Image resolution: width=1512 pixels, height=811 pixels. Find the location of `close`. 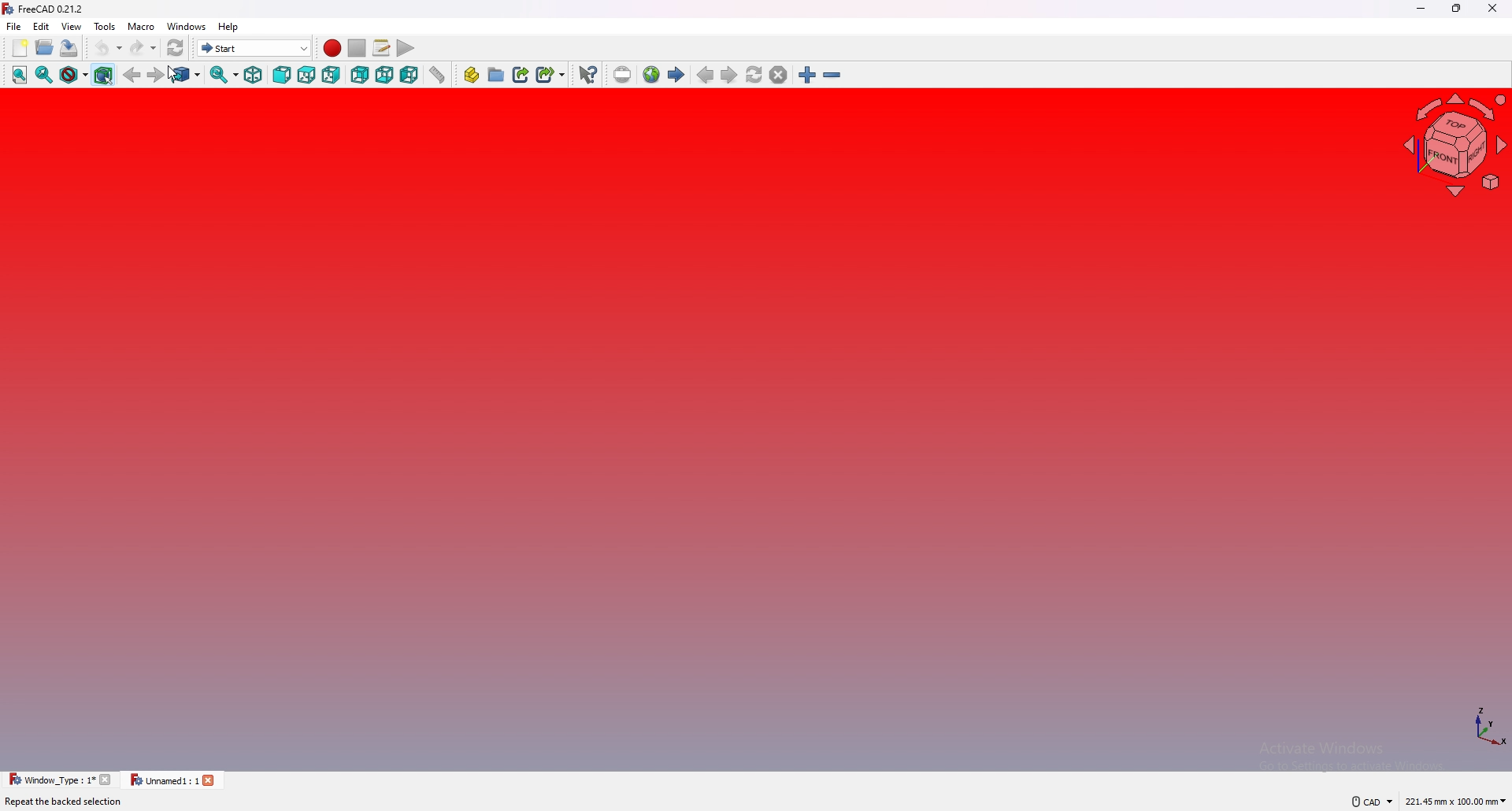

close is located at coordinates (211, 780).